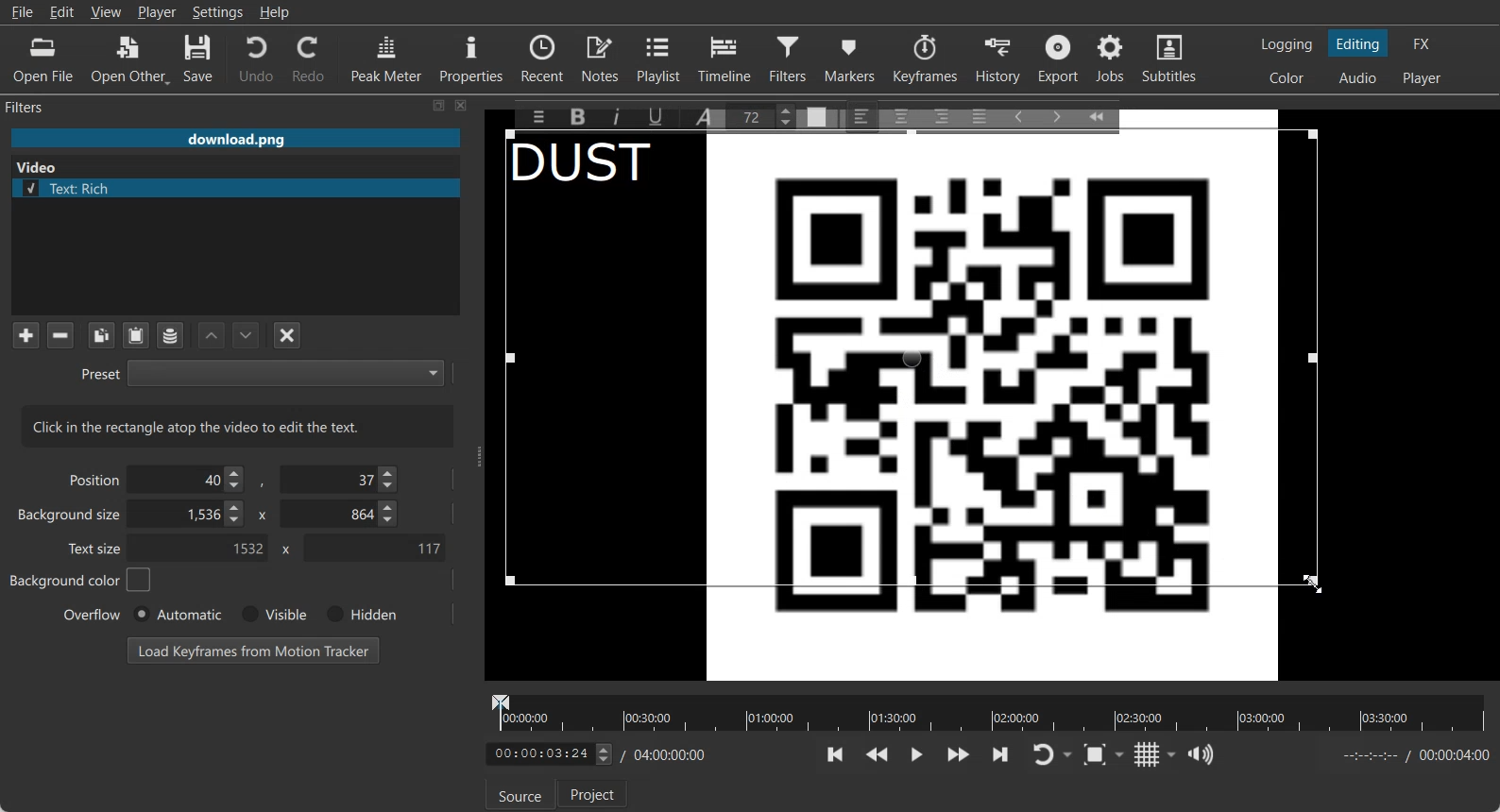  Describe the element at coordinates (1112, 59) in the screenshot. I see `Jobs` at that location.